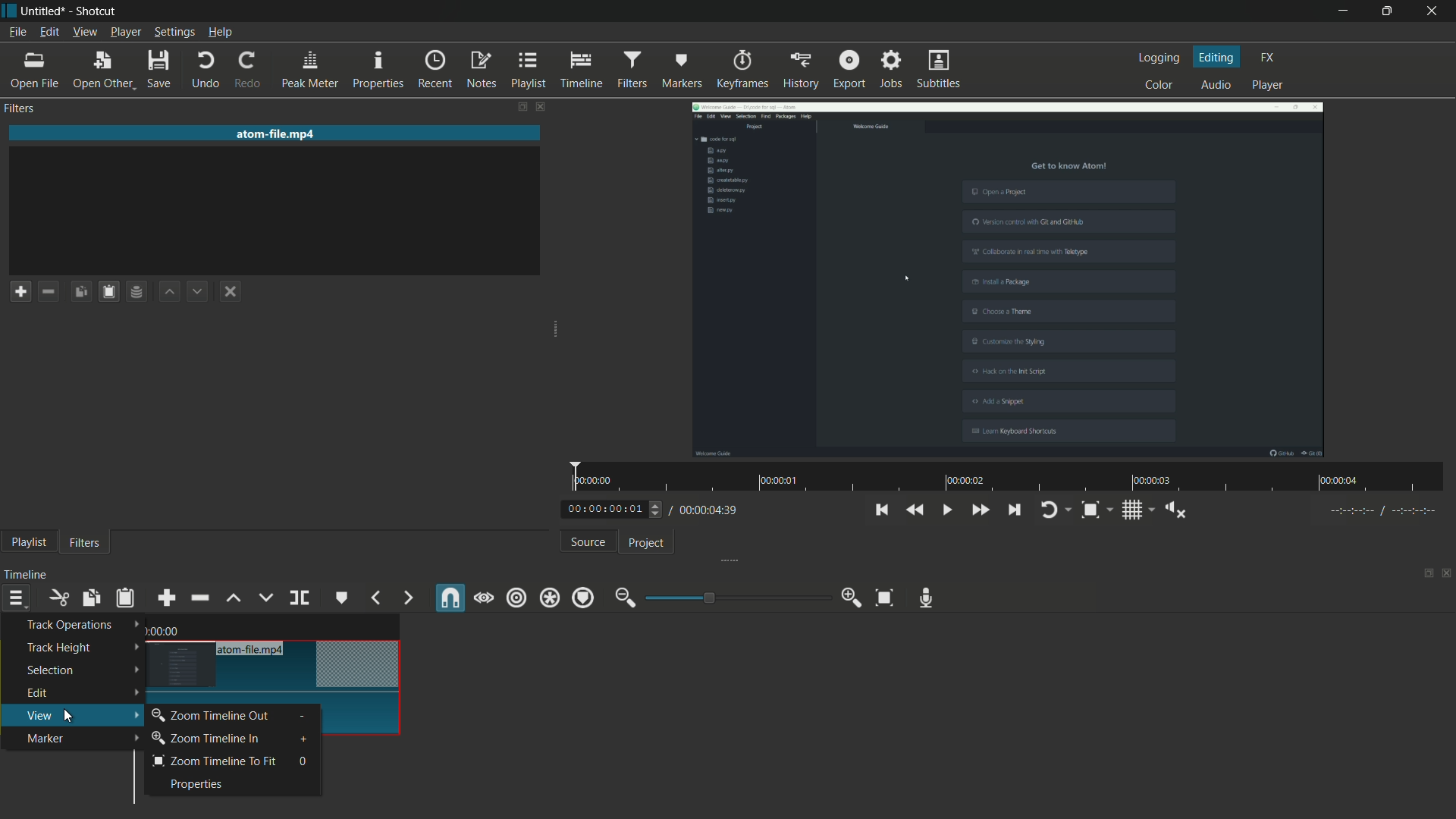  Describe the element at coordinates (9, 11) in the screenshot. I see `app icon` at that location.